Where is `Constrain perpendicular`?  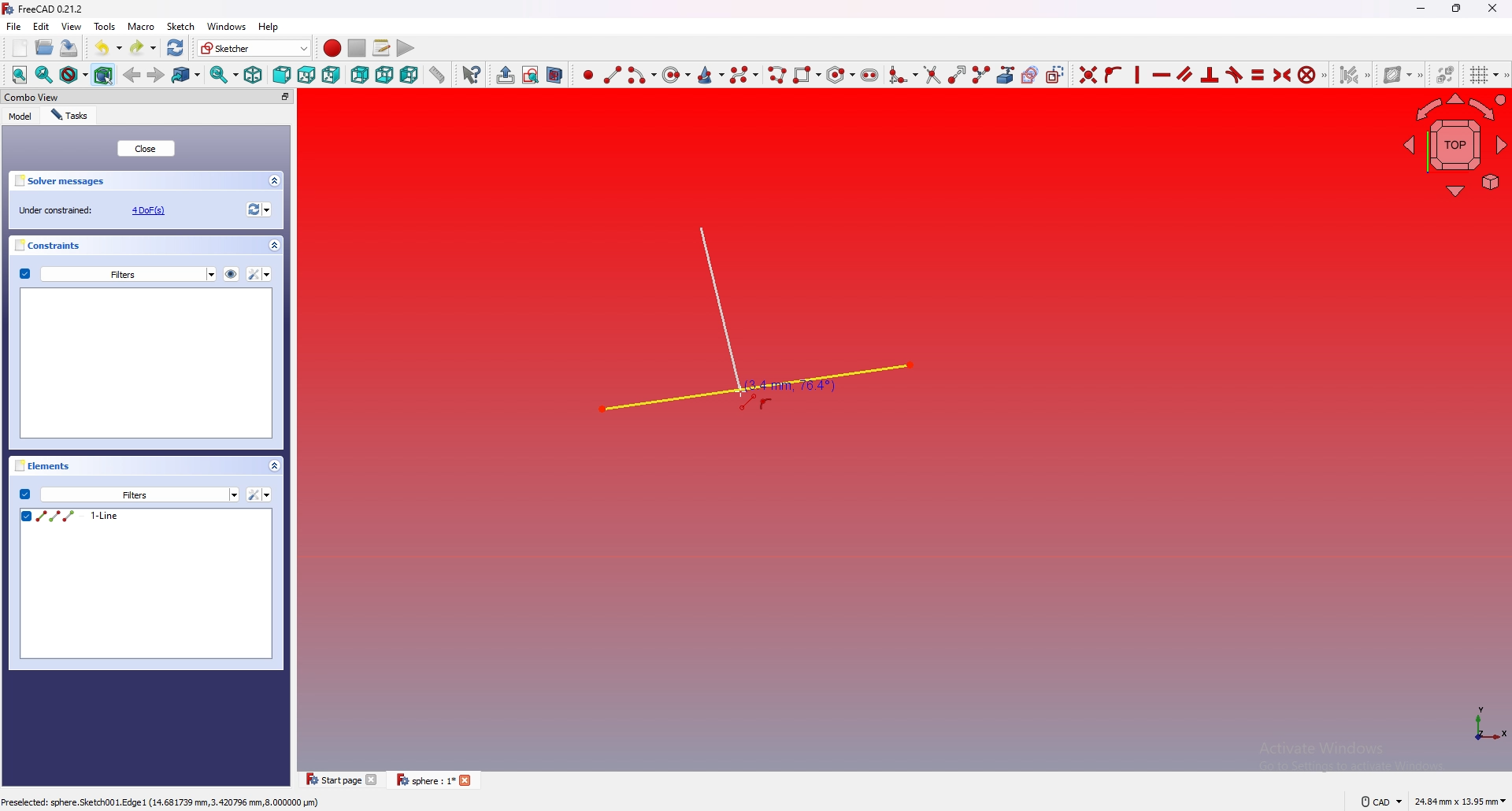 Constrain perpendicular is located at coordinates (1208, 75).